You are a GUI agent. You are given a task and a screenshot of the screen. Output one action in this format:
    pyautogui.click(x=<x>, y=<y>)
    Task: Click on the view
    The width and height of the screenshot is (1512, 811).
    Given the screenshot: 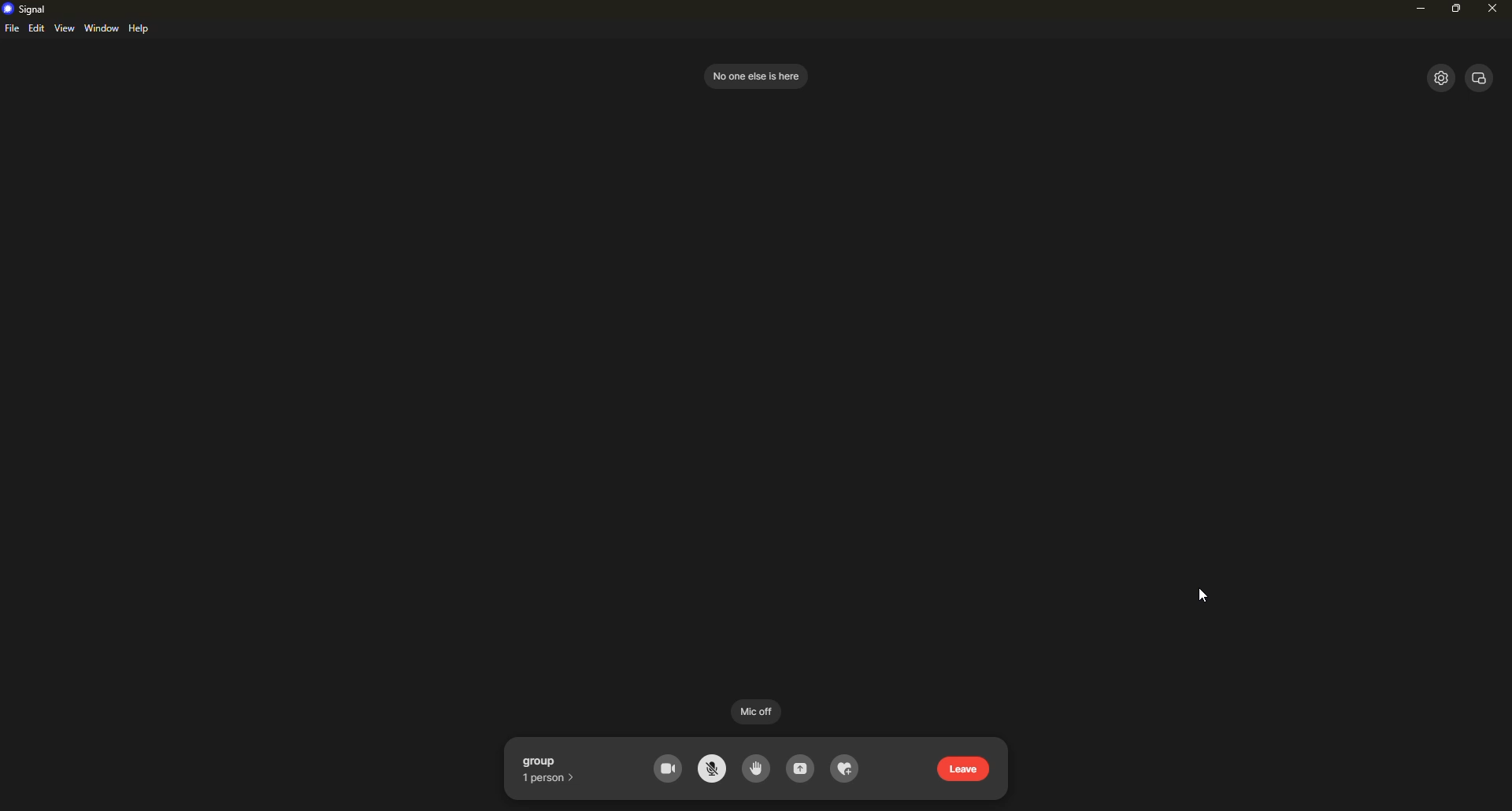 What is the action you would take?
    pyautogui.click(x=1480, y=76)
    